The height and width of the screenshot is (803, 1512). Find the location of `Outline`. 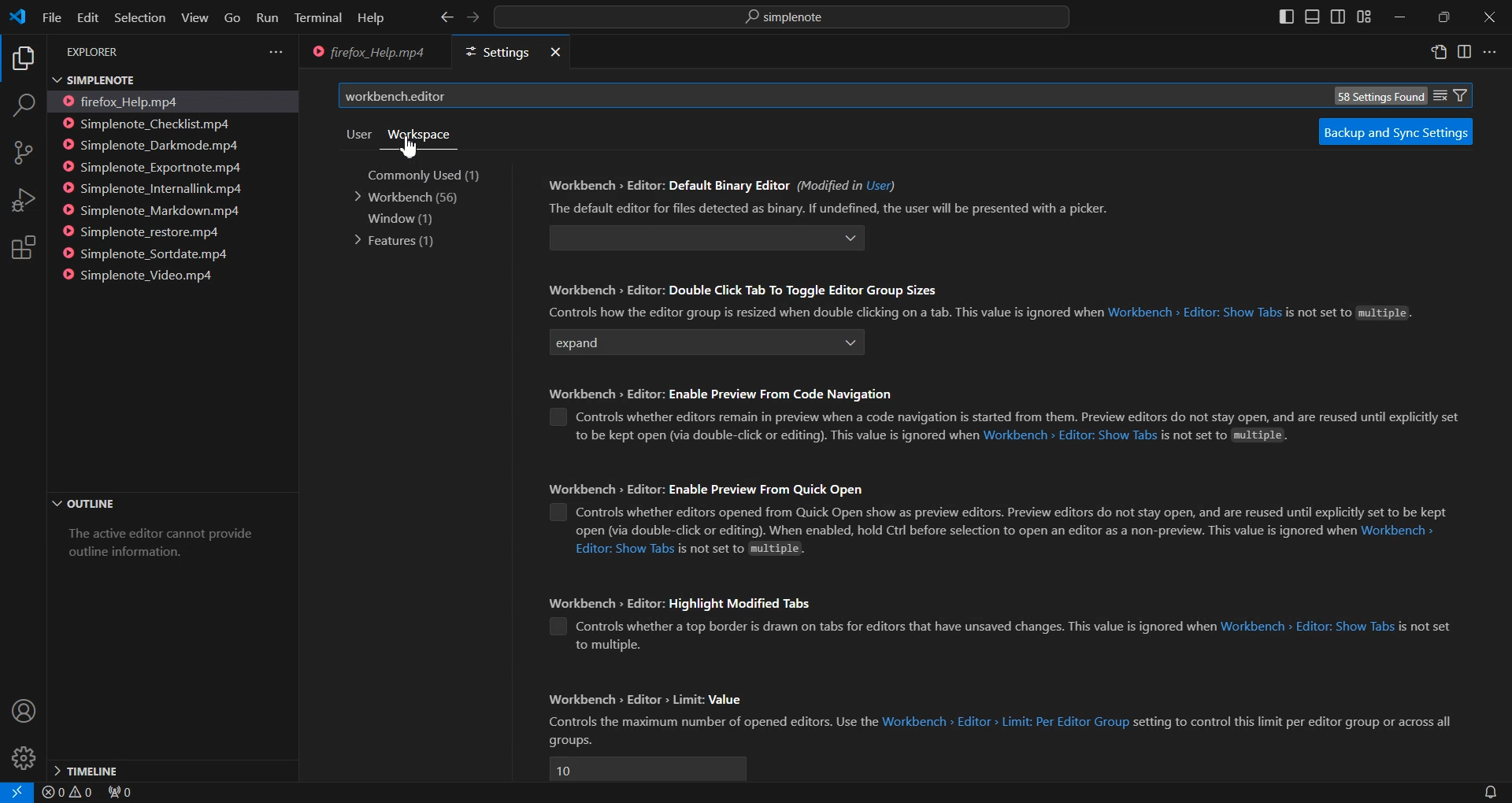

Outline is located at coordinates (170, 505).